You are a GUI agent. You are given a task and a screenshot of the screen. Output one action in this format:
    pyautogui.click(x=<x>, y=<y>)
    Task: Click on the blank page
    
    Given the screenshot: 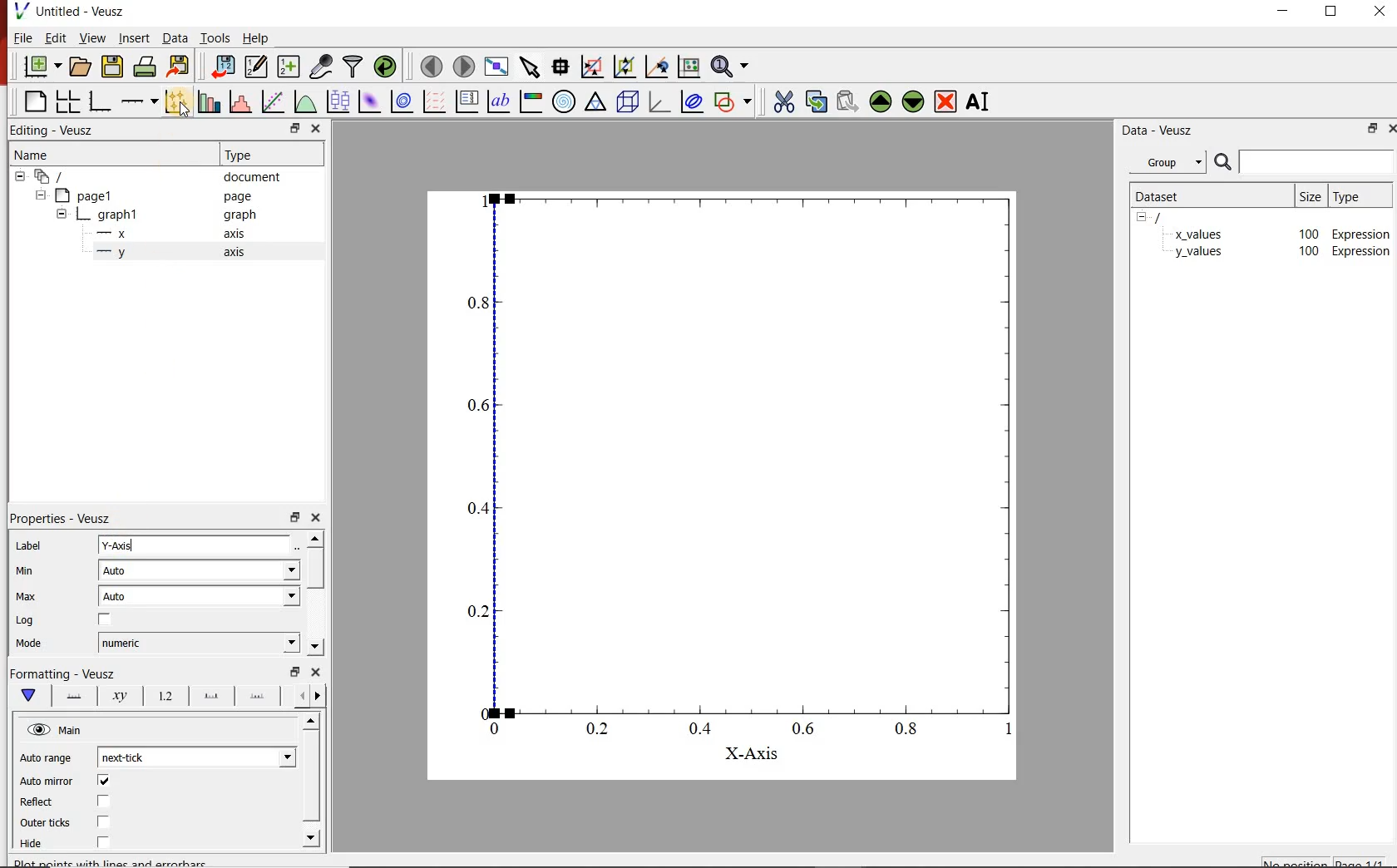 What is the action you would take?
    pyautogui.click(x=35, y=101)
    